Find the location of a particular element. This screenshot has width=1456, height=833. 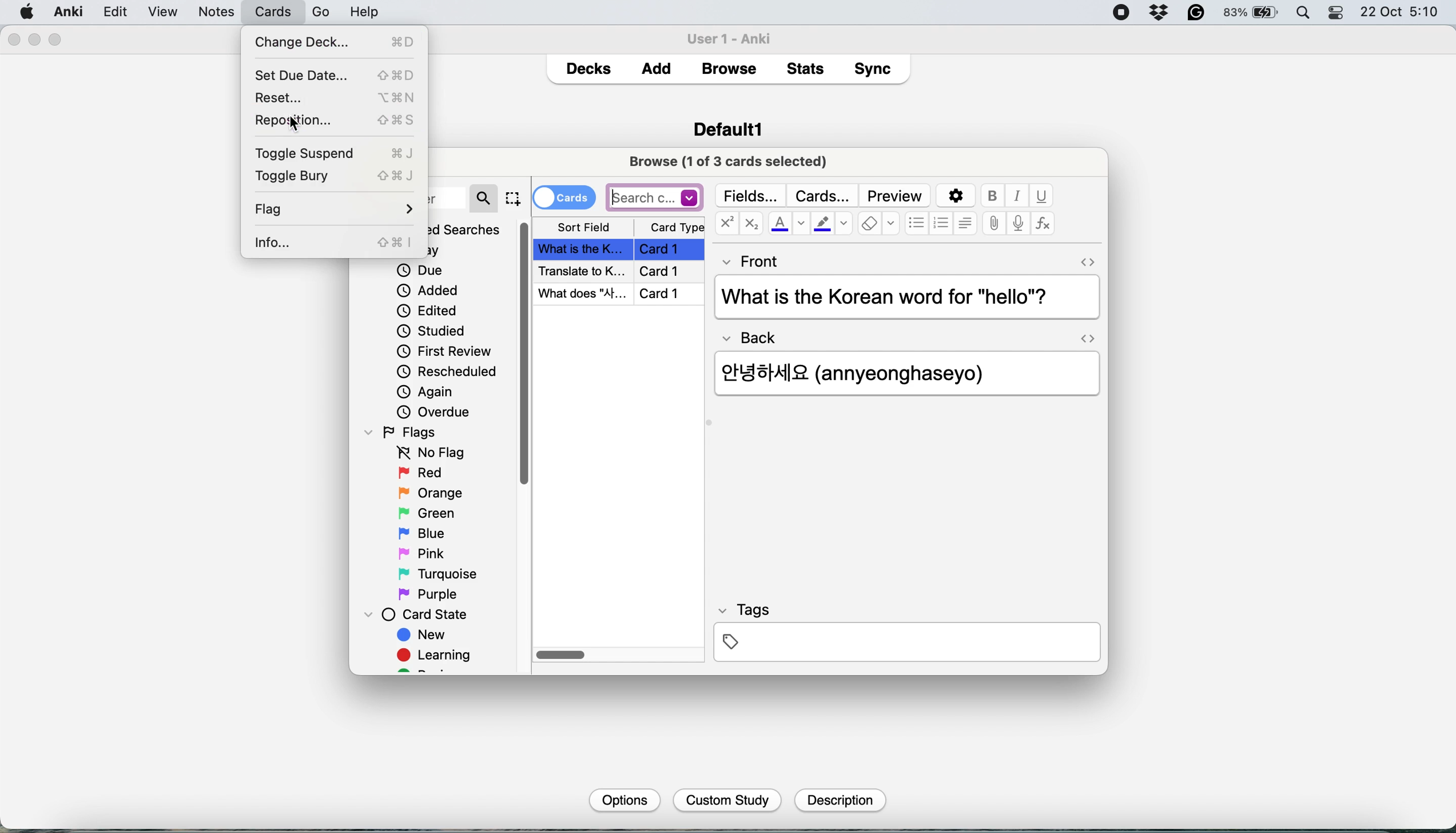

italic is located at coordinates (1019, 196).